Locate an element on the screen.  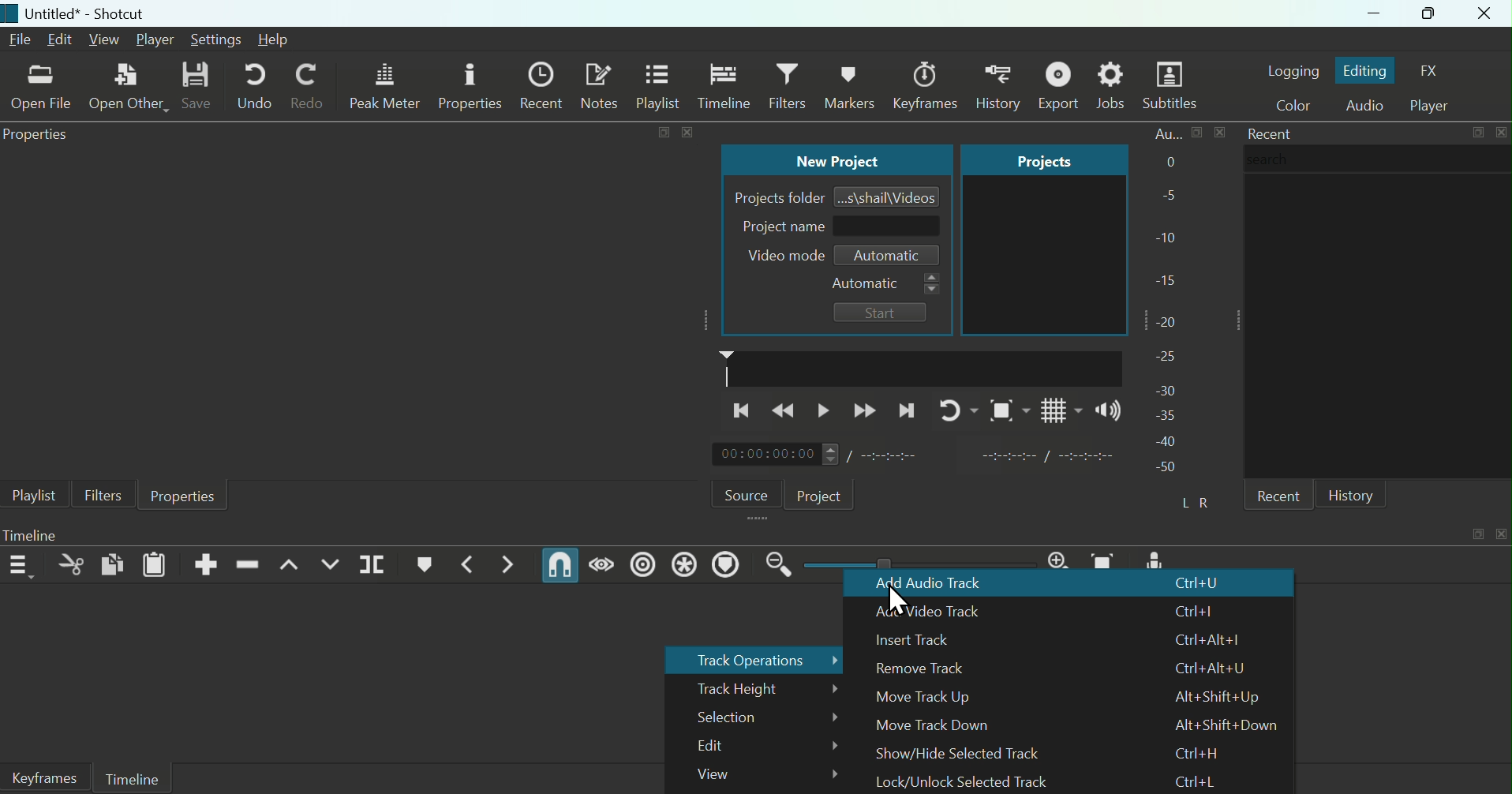
Alt+Shift+Up is located at coordinates (1219, 698).